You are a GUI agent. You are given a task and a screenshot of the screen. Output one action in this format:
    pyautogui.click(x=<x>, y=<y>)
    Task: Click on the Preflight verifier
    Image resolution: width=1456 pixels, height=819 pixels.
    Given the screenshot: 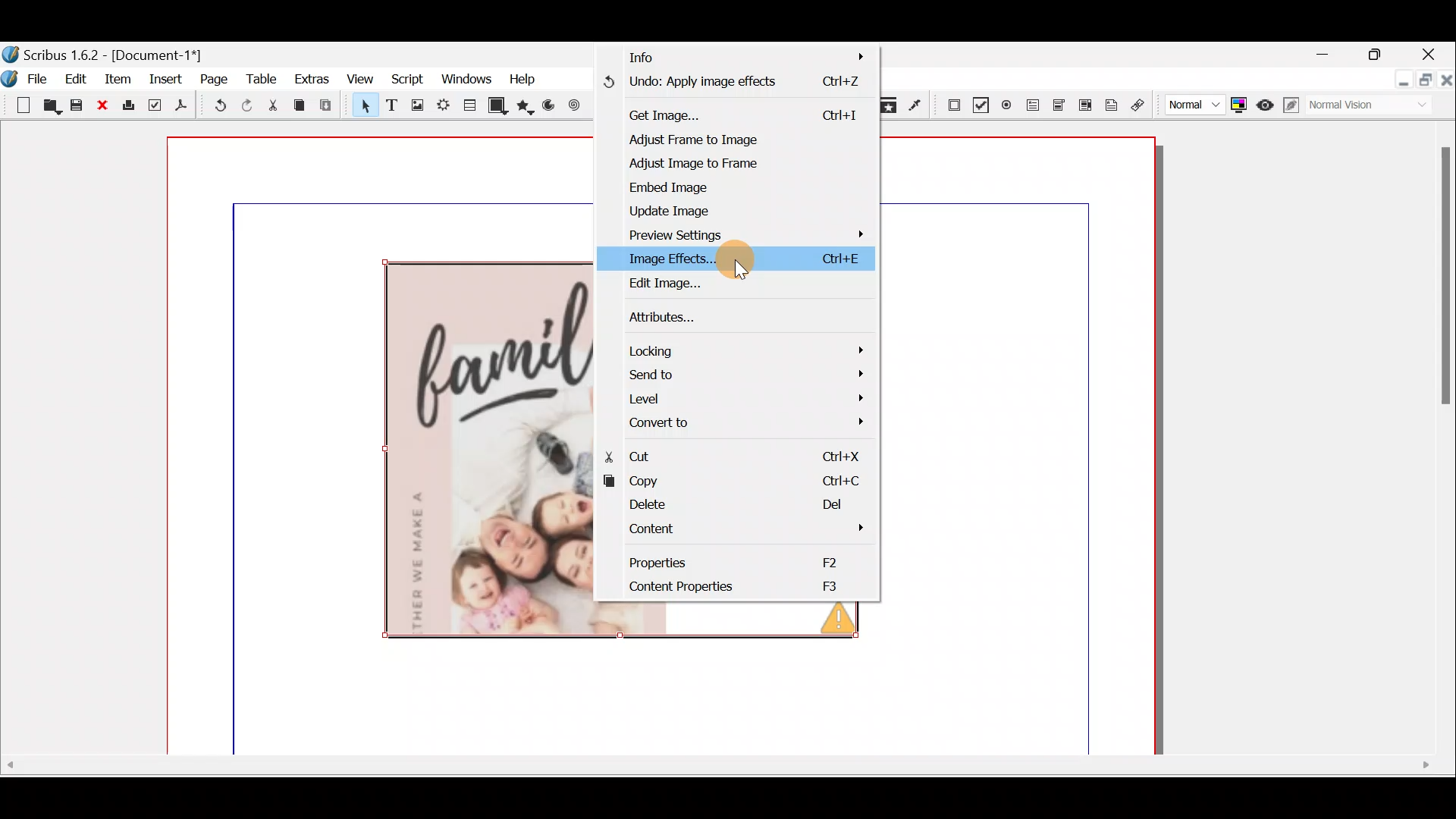 What is the action you would take?
    pyautogui.click(x=155, y=107)
    